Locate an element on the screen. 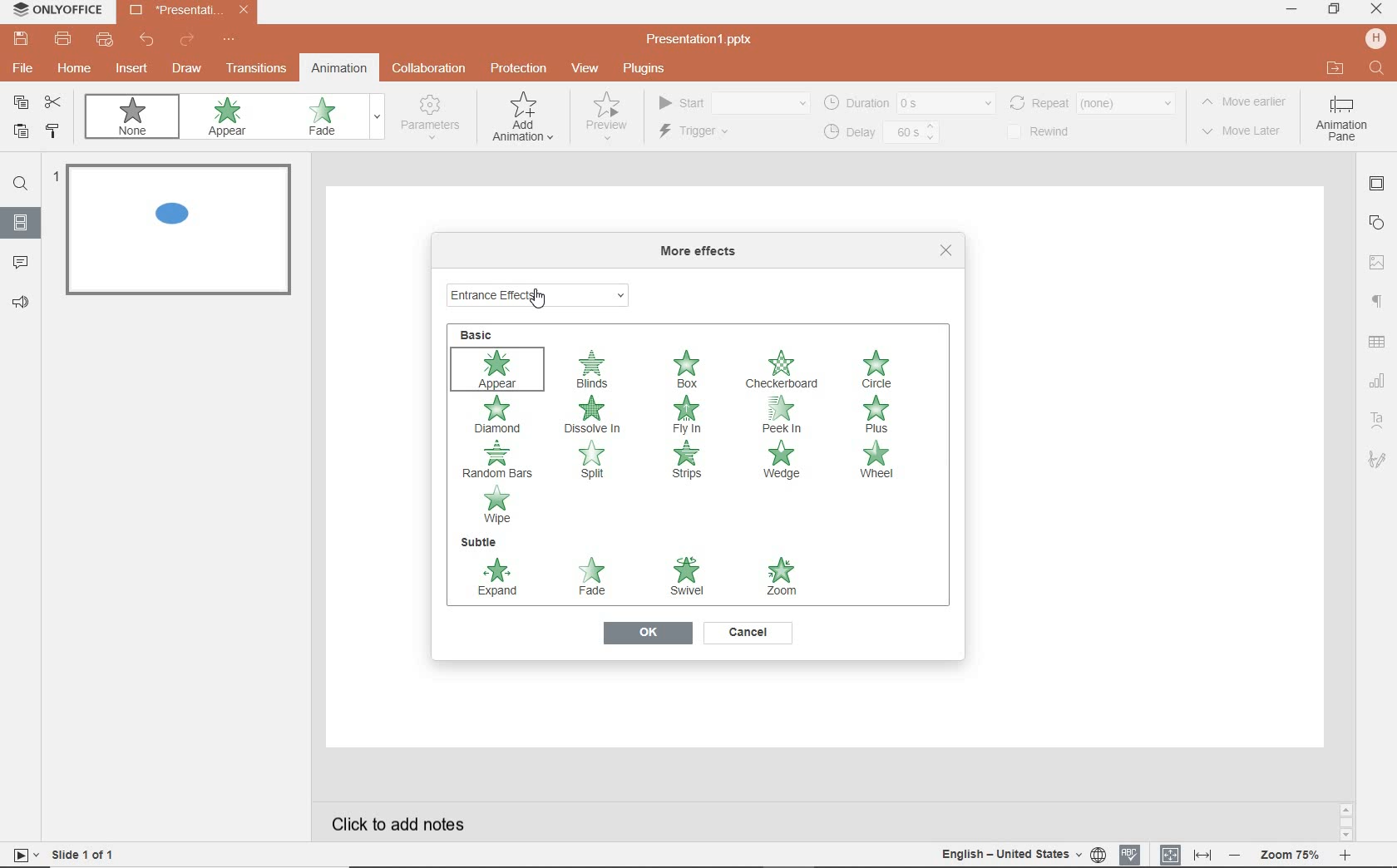  DIAMOND is located at coordinates (501, 416).